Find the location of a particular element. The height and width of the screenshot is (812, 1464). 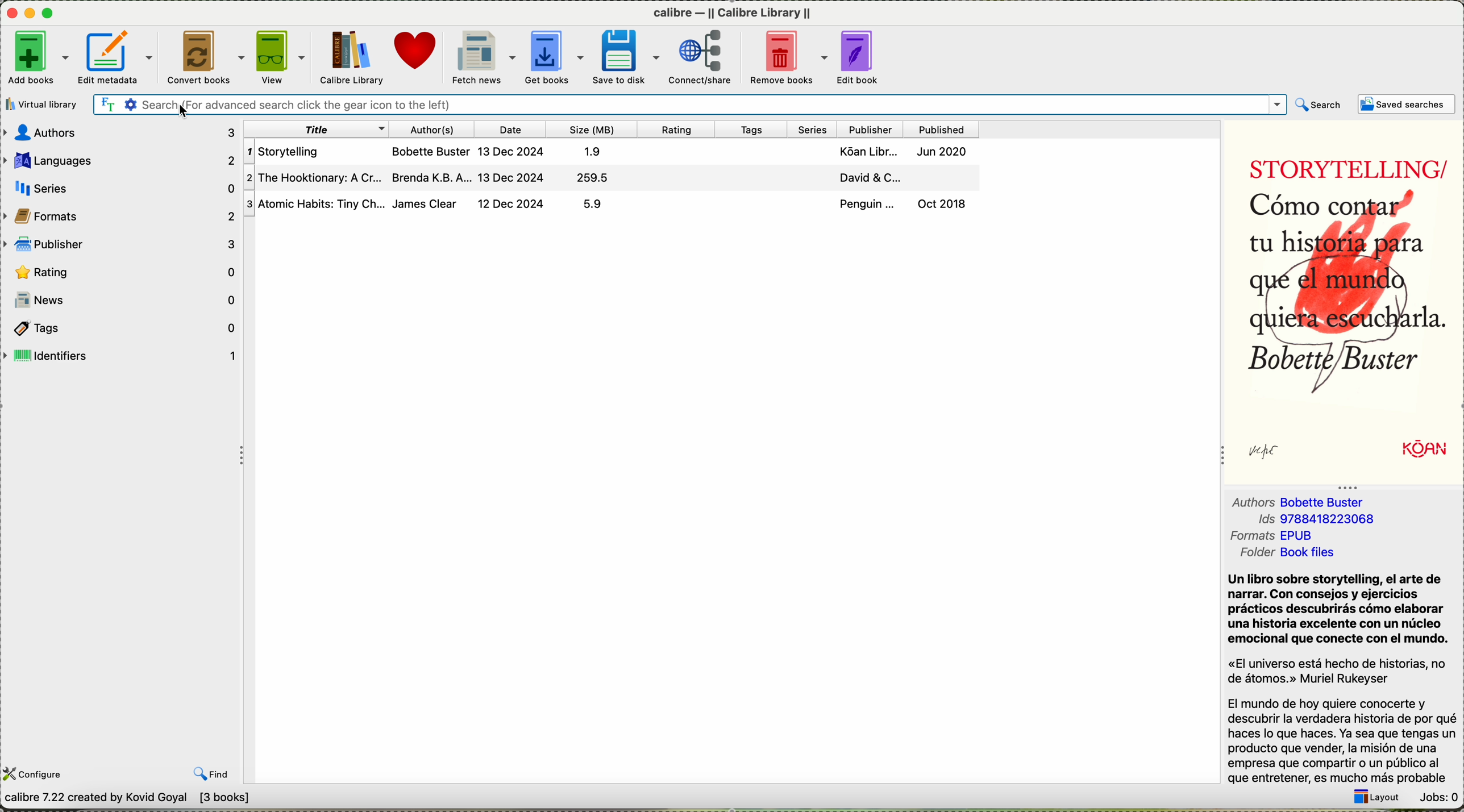

get books is located at coordinates (554, 55).